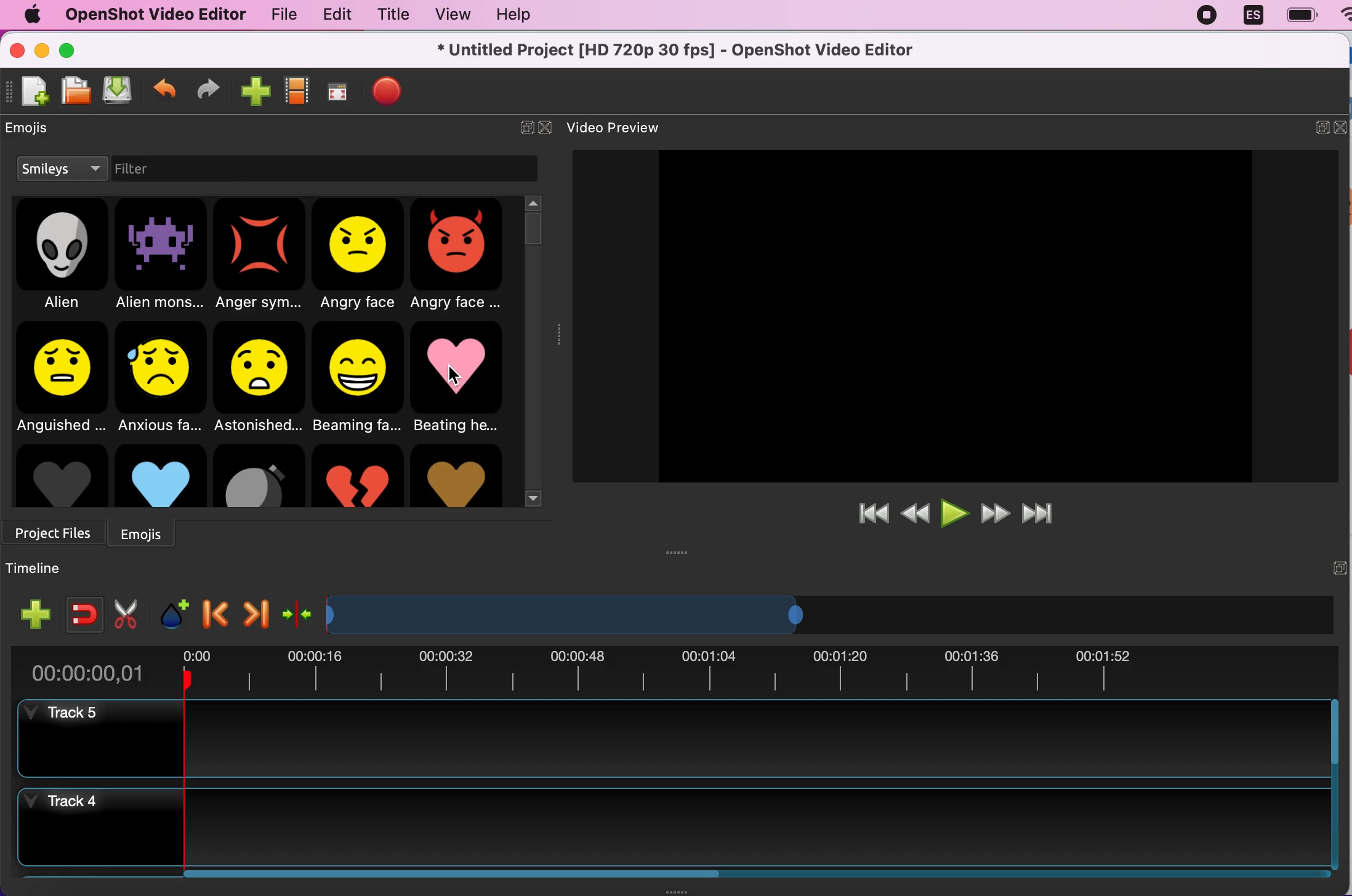 The image size is (1352, 896). Describe the element at coordinates (1248, 15) in the screenshot. I see `language` at that location.